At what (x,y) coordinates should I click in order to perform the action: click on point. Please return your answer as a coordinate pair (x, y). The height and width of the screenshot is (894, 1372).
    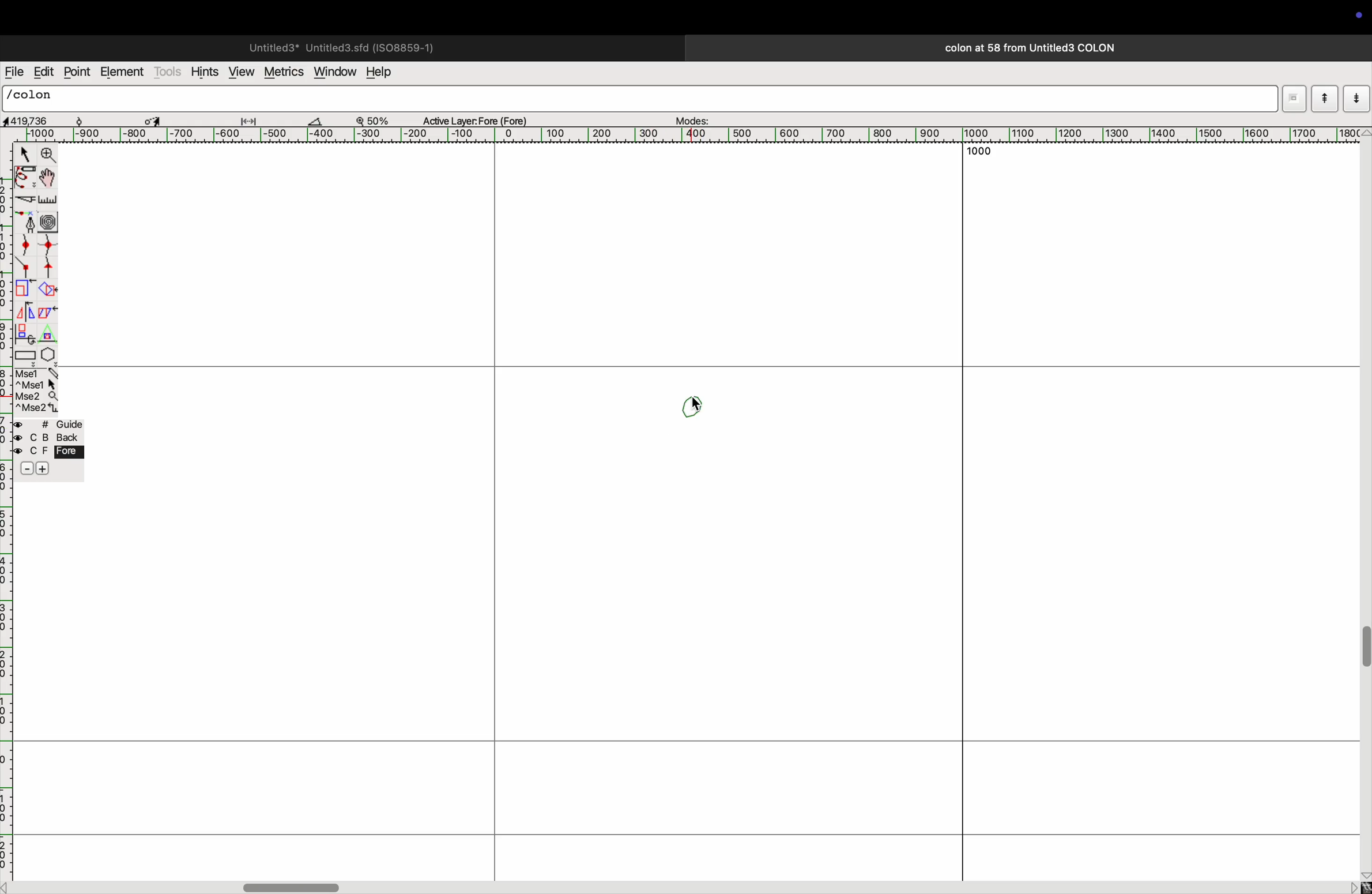
    Looking at the image, I should click on (79, 73).